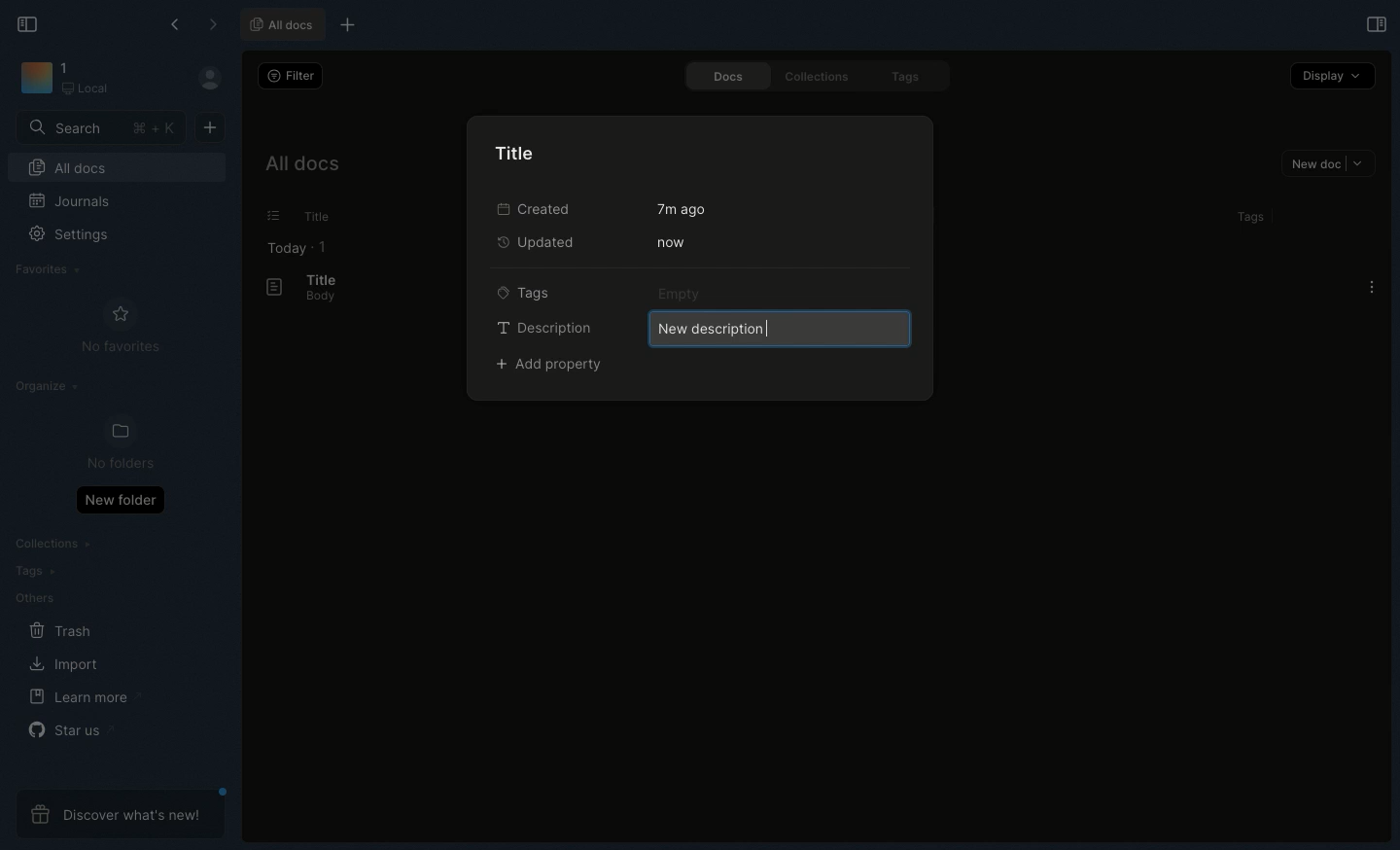 This screenshot has width=1400, height=850. Describe the element at coordinates (177, 24) in the screenshot. I see `Back` at that location.